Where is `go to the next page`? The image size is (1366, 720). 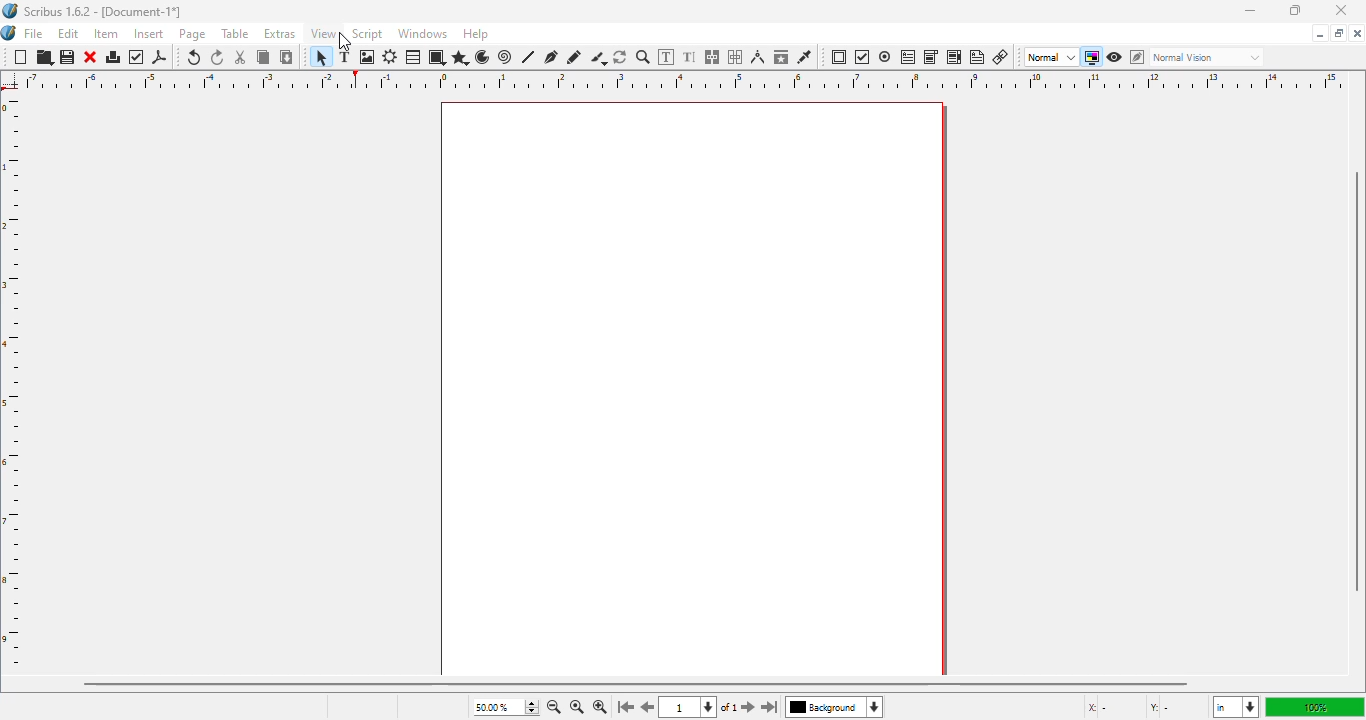
go to the next page is located at coordinates (748, 705).